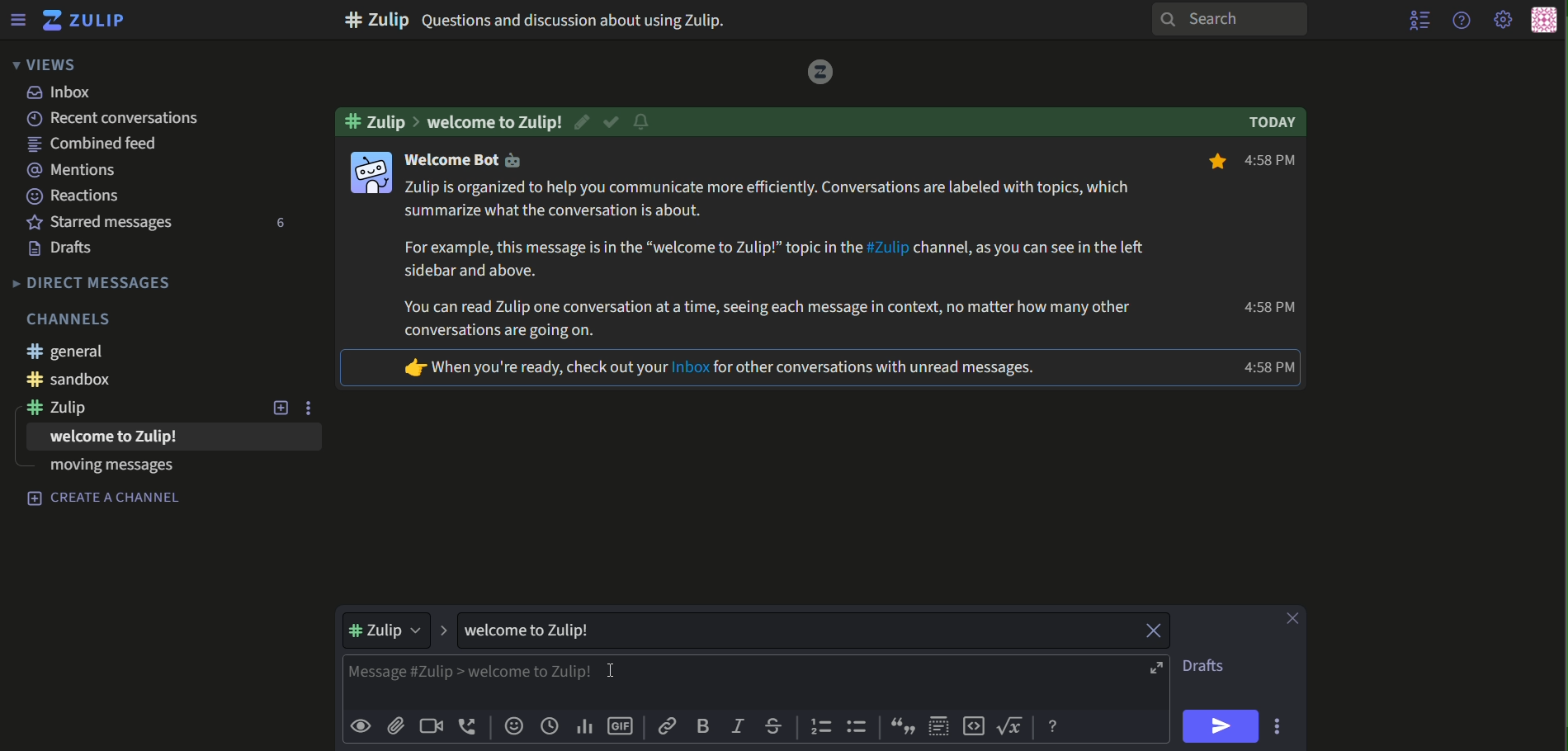  What do you see at coordinates (621, 728) in the screenshot?
I see `add gif` at bounding box center [621, 728].